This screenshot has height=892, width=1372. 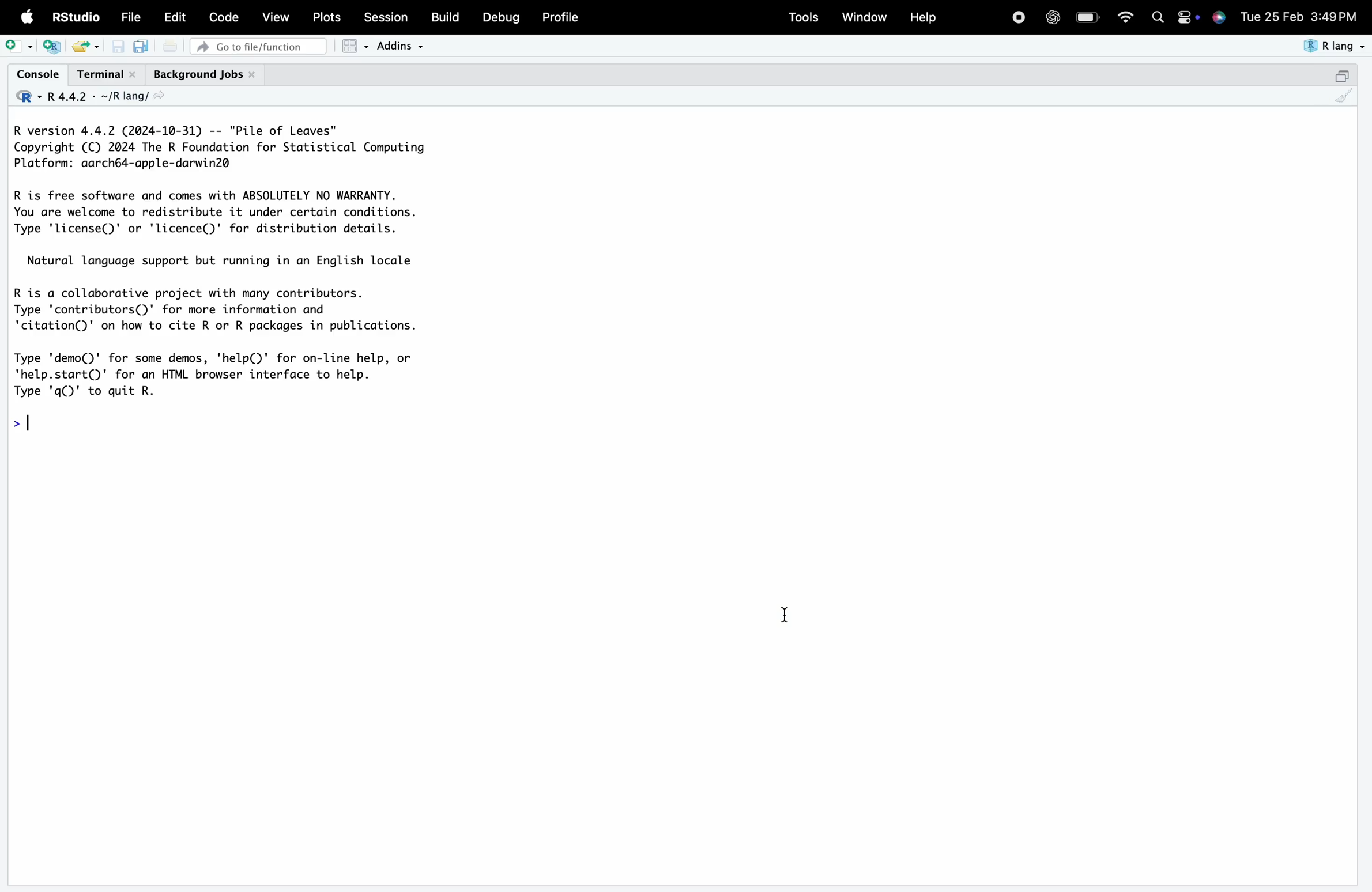 What do you see at coordinates (118, 47) in the screenshot?
I see `Save current document` at bounding box center [118, 47].